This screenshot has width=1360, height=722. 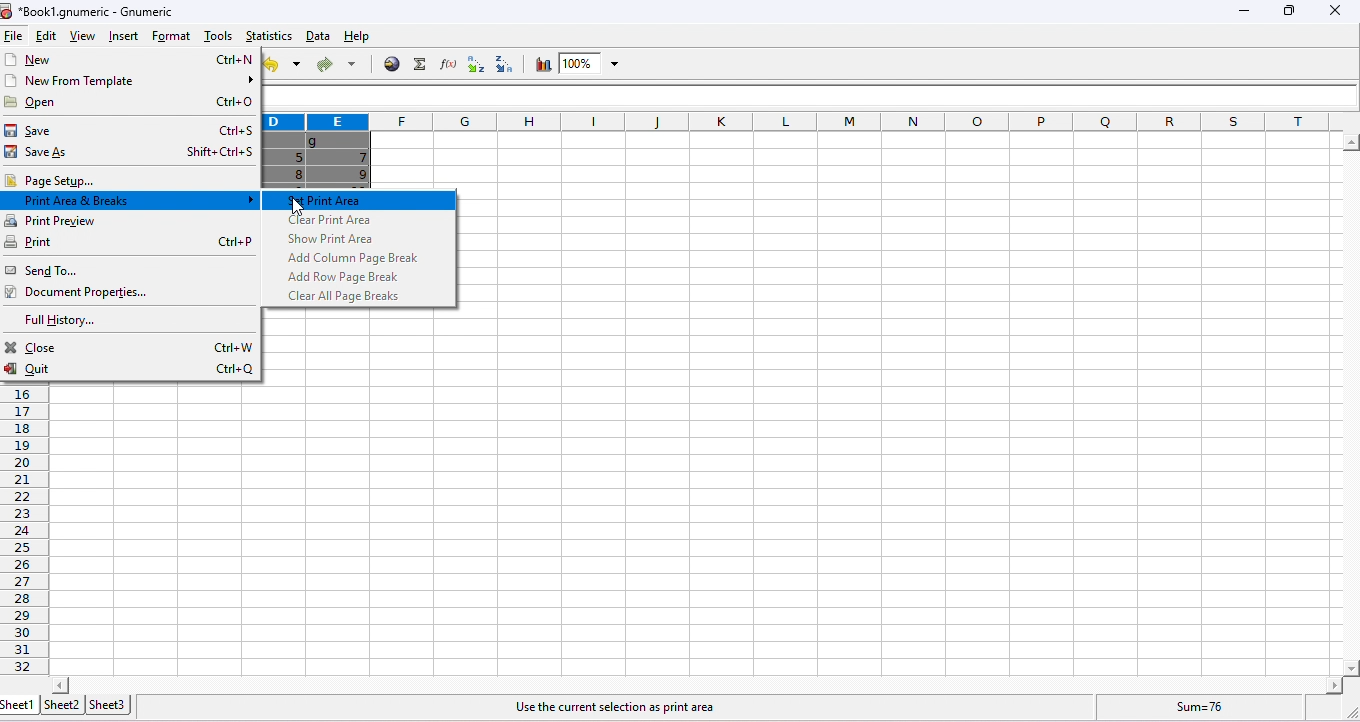 I want to click on clear page breaks, so click(x=349, y=296).